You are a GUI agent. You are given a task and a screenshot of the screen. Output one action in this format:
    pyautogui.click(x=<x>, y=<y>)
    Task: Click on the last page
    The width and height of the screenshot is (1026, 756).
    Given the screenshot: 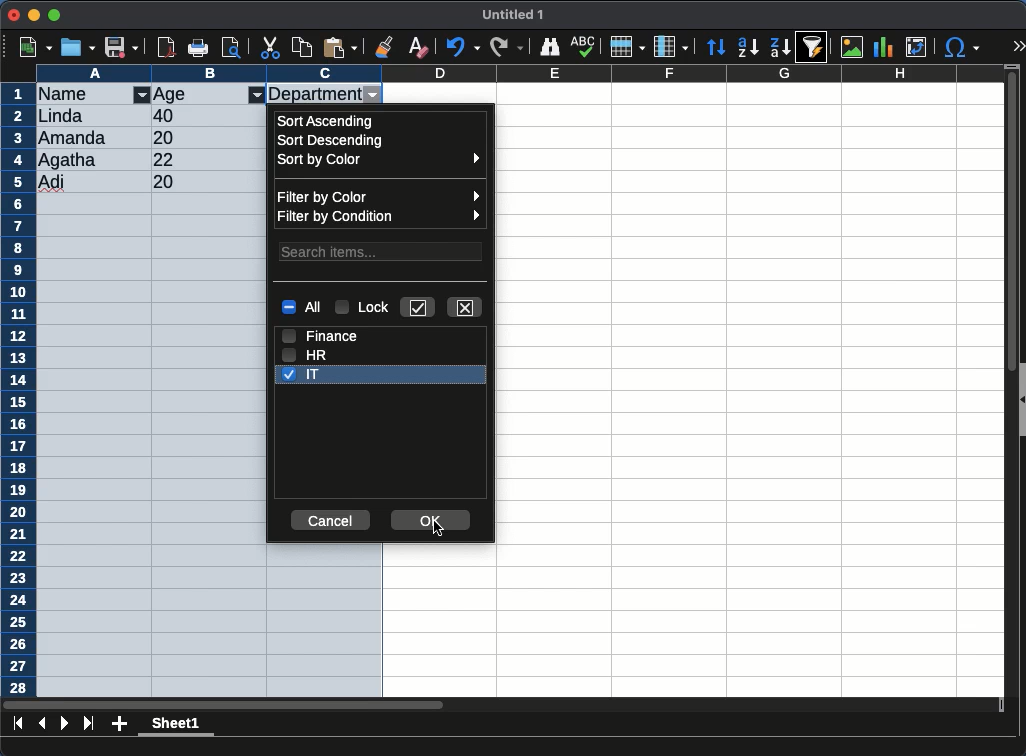 What is the action you would take?
    pyautogui.click(x=88, y=725)
    